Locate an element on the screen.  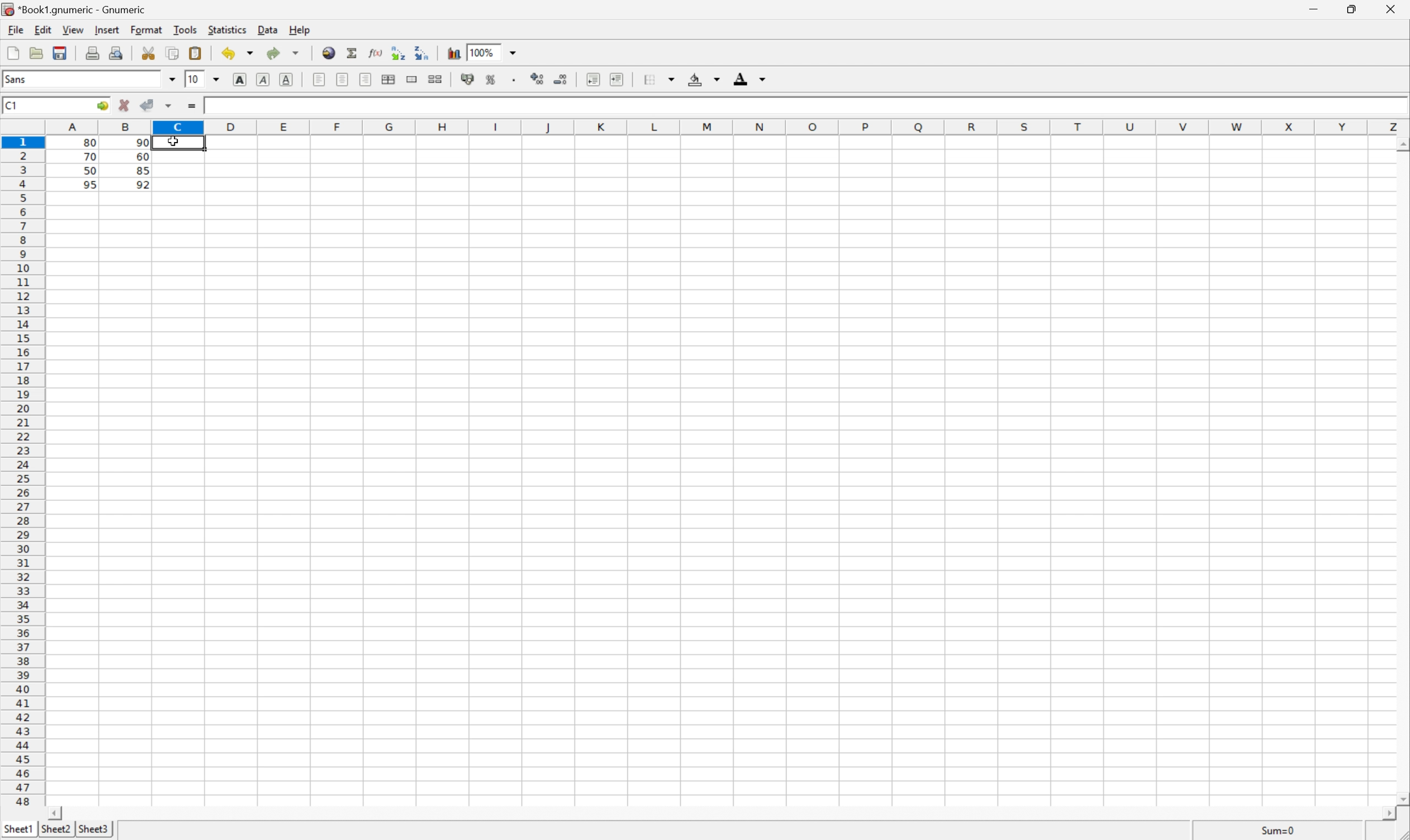
Merge ranges of cells is located at coordinates (413, 79).